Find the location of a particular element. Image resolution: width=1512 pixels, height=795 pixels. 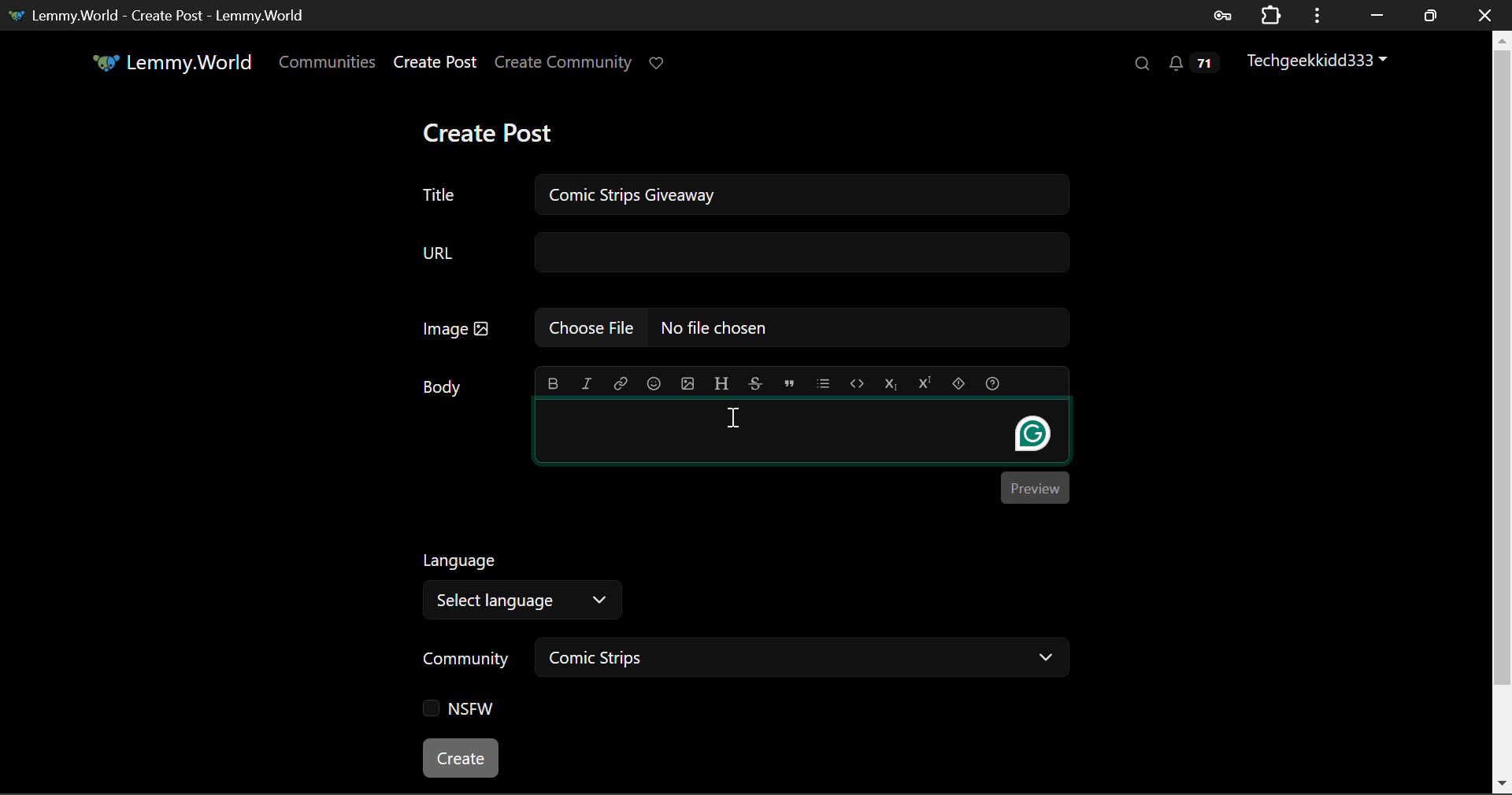

code is located at coordinates (855, 381).